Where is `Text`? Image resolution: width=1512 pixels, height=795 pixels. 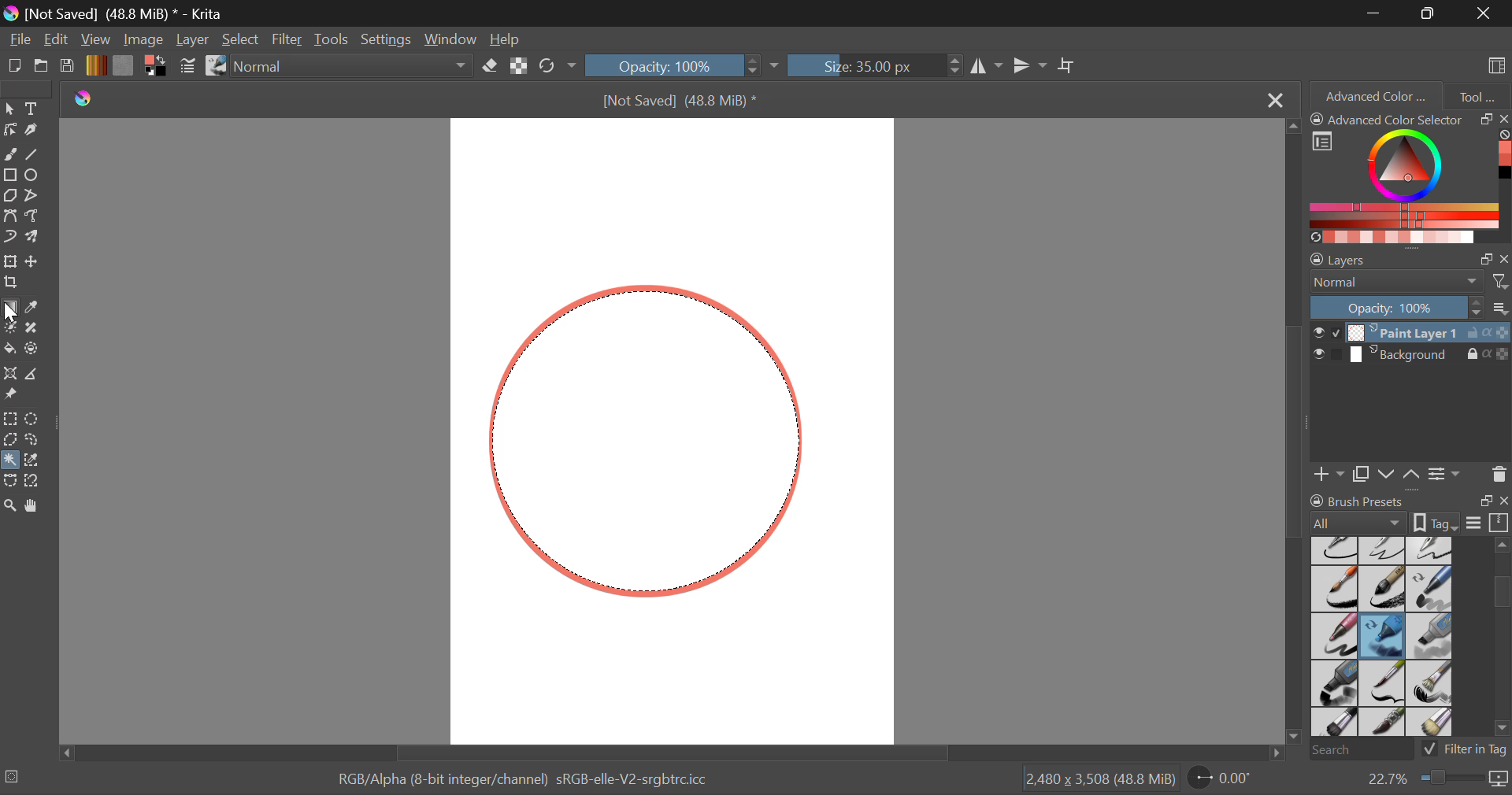
Text is located at coordinates (34, 108).